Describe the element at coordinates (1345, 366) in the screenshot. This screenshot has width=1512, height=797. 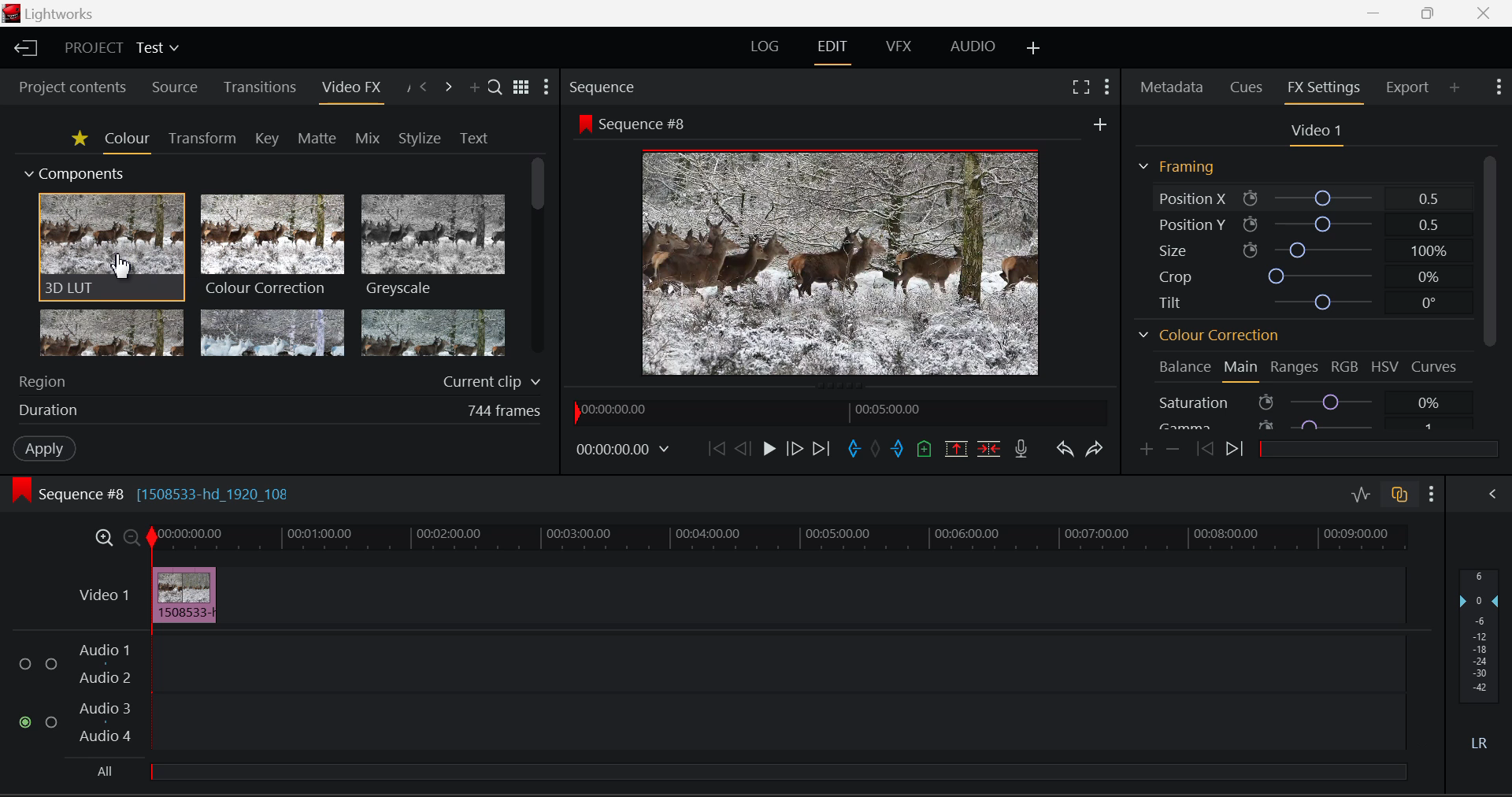
I see `RGB` at that location.